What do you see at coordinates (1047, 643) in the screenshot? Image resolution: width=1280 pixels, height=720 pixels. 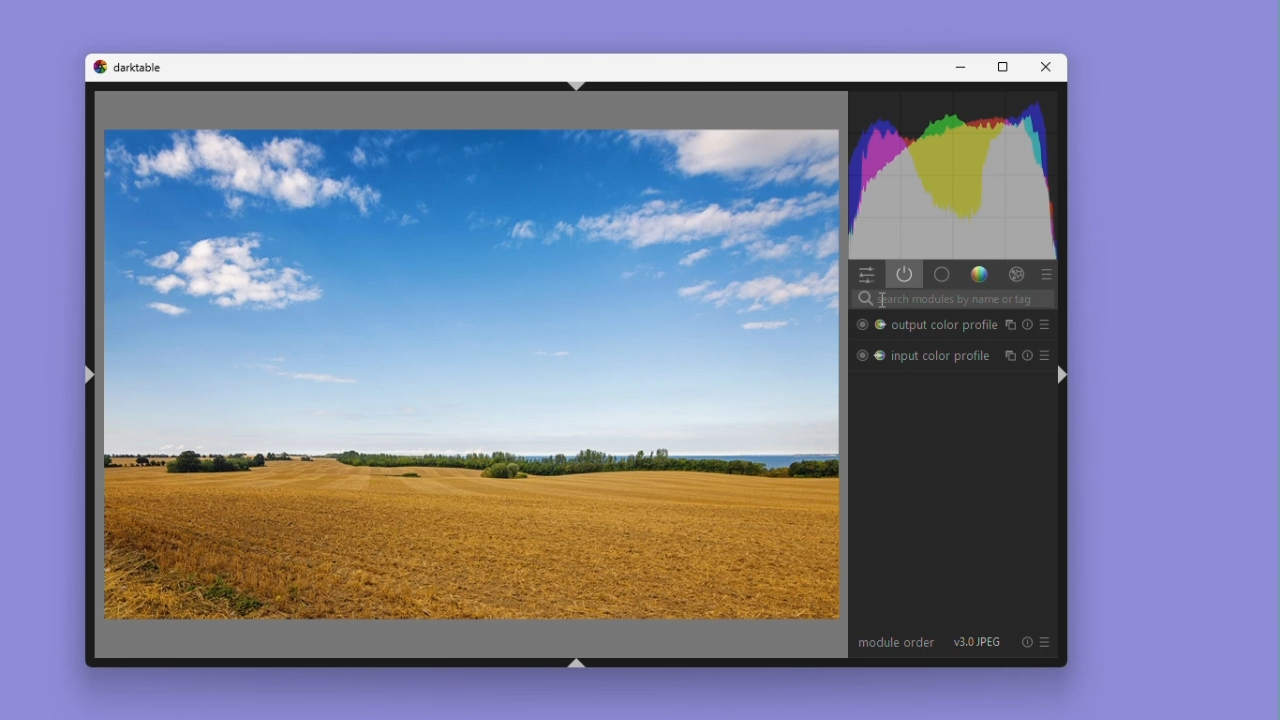 I see `preset` at bounding box center [1047, 643].